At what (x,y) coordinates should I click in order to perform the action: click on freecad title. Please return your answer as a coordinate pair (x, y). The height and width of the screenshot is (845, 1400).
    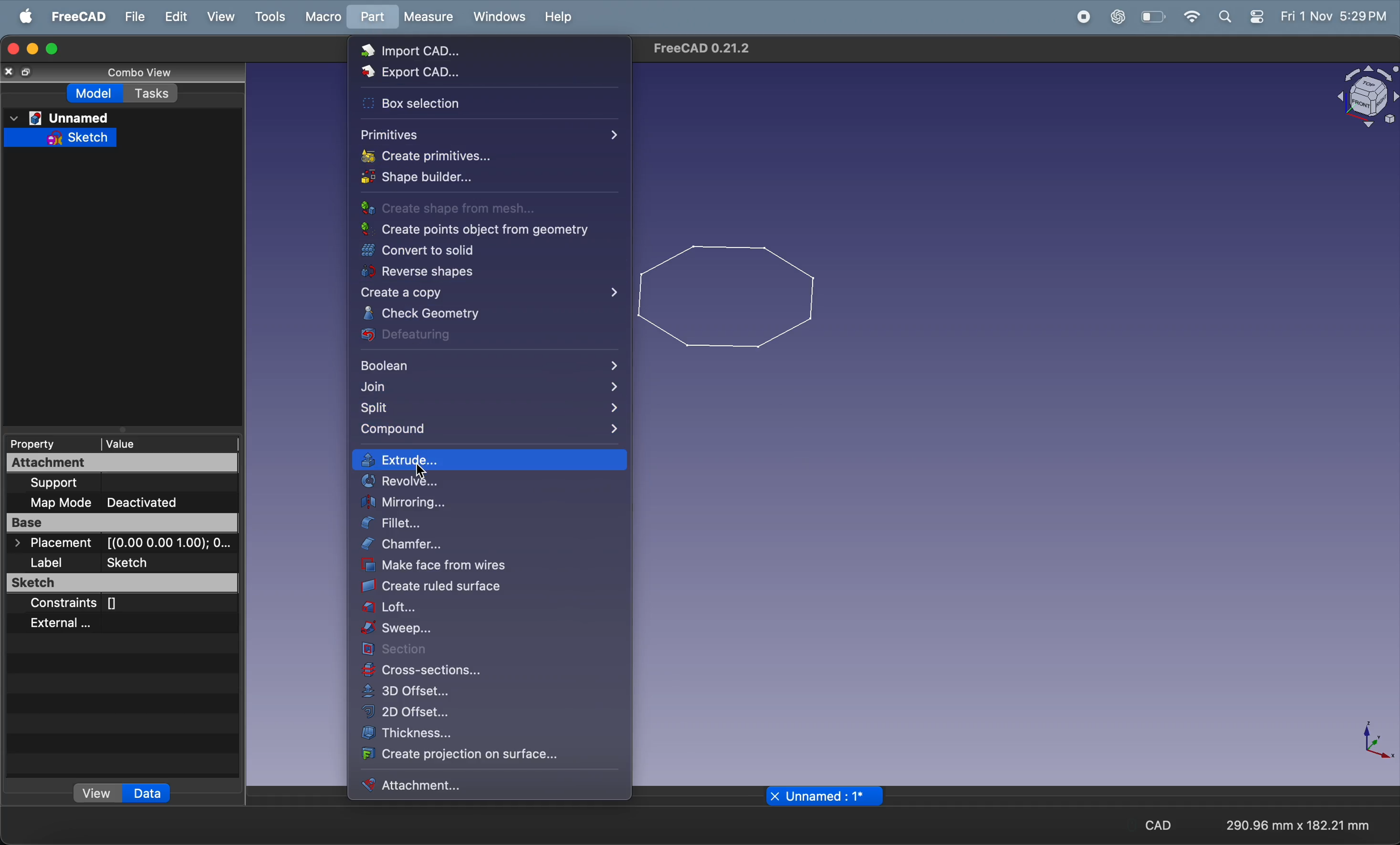
    Looking at the image, I should click on (698, 49).